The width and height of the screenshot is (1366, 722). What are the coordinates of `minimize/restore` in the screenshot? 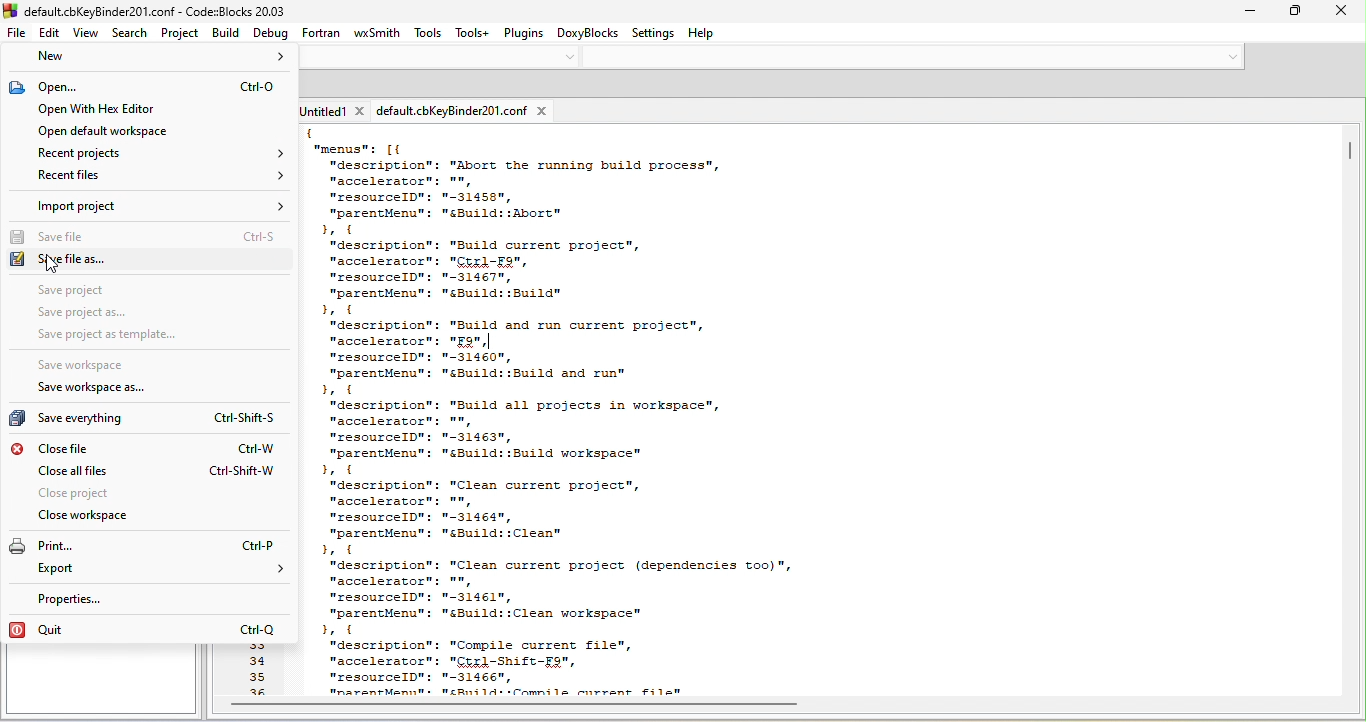 It's located at (1290, 13).